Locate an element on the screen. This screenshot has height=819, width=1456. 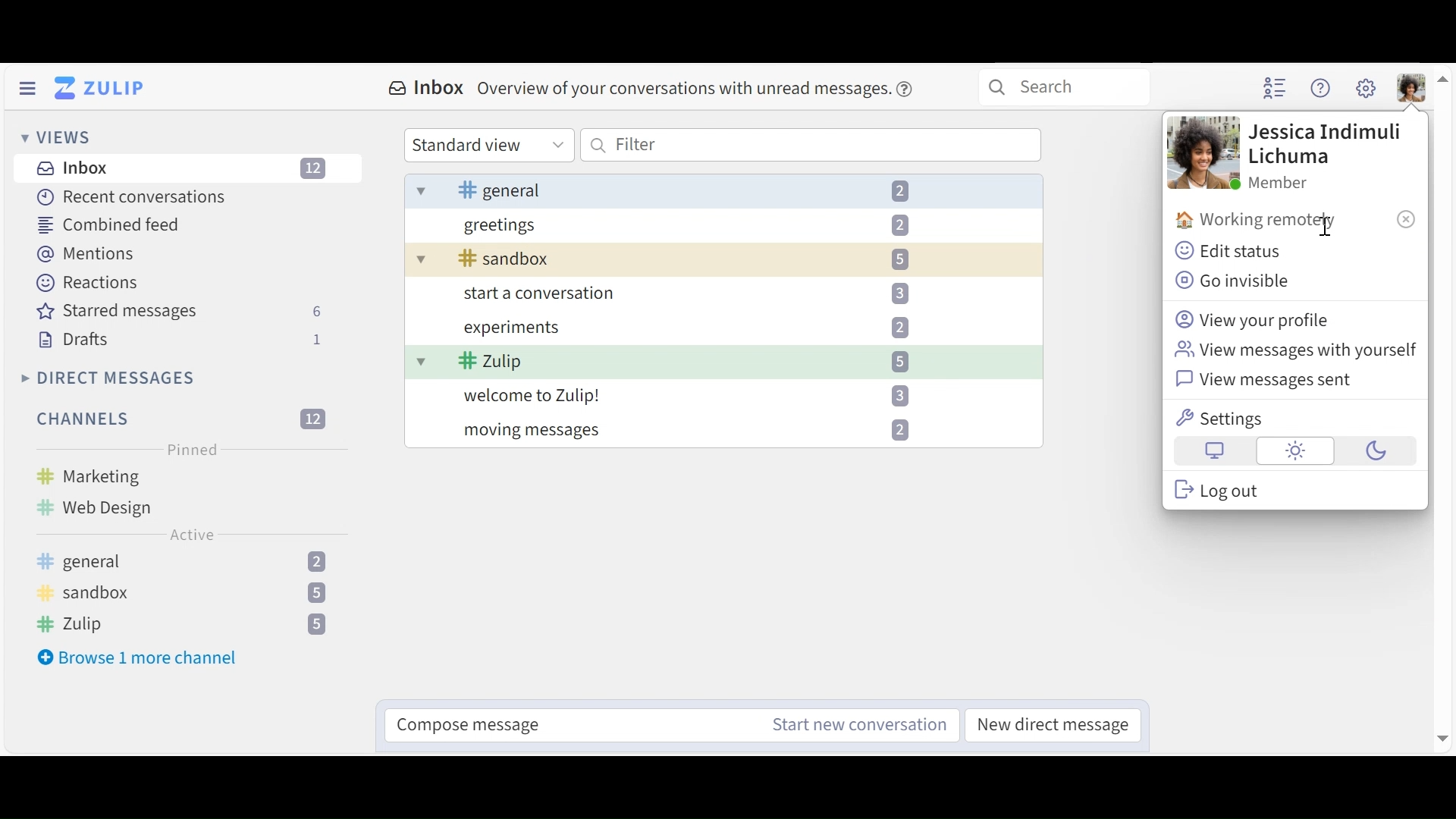
2 is located at coordinates (899, 431).